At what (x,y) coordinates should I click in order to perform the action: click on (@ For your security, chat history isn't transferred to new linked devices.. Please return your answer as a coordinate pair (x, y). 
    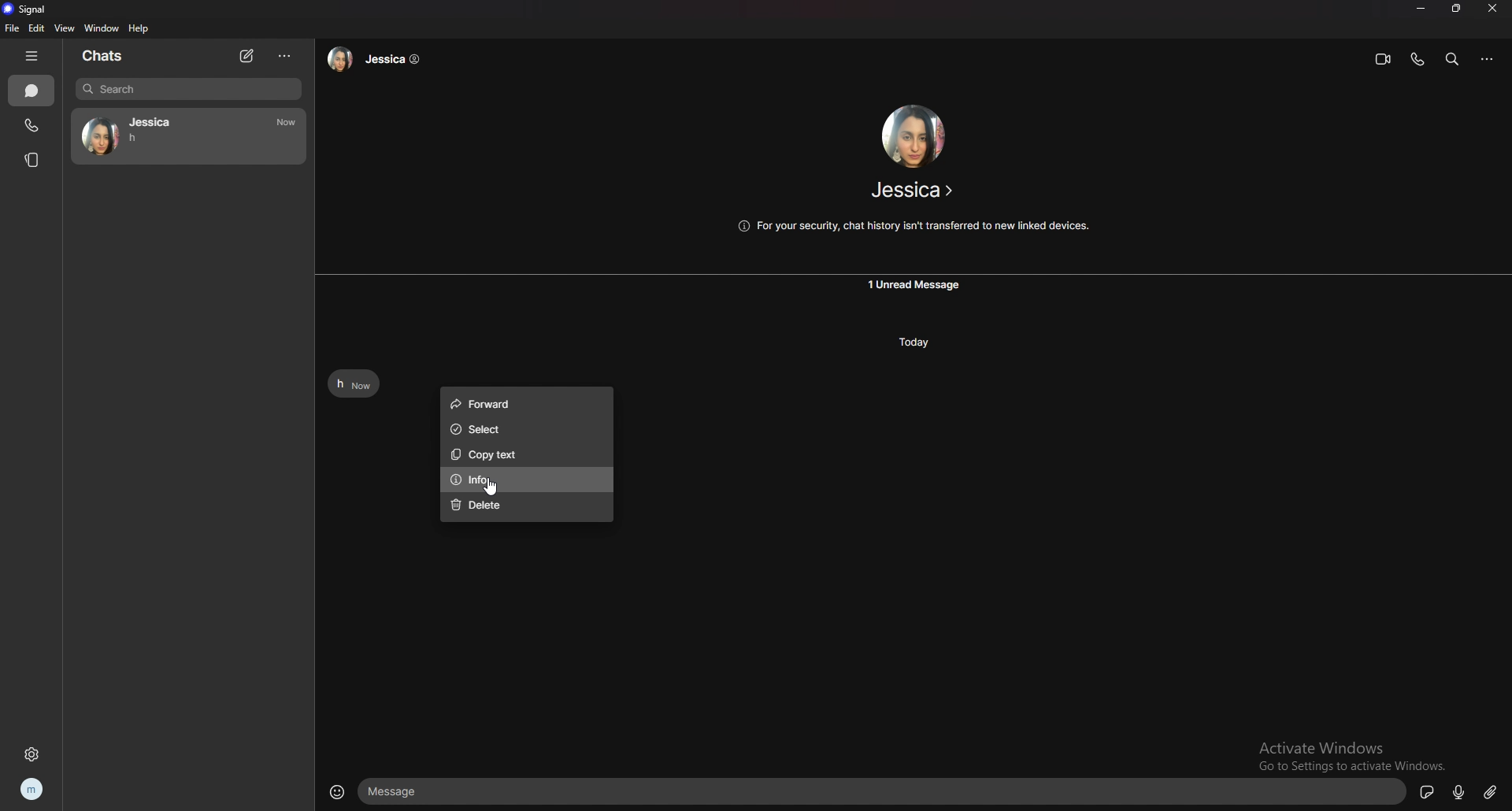
    Looking at the image, I should click on (915, 224).